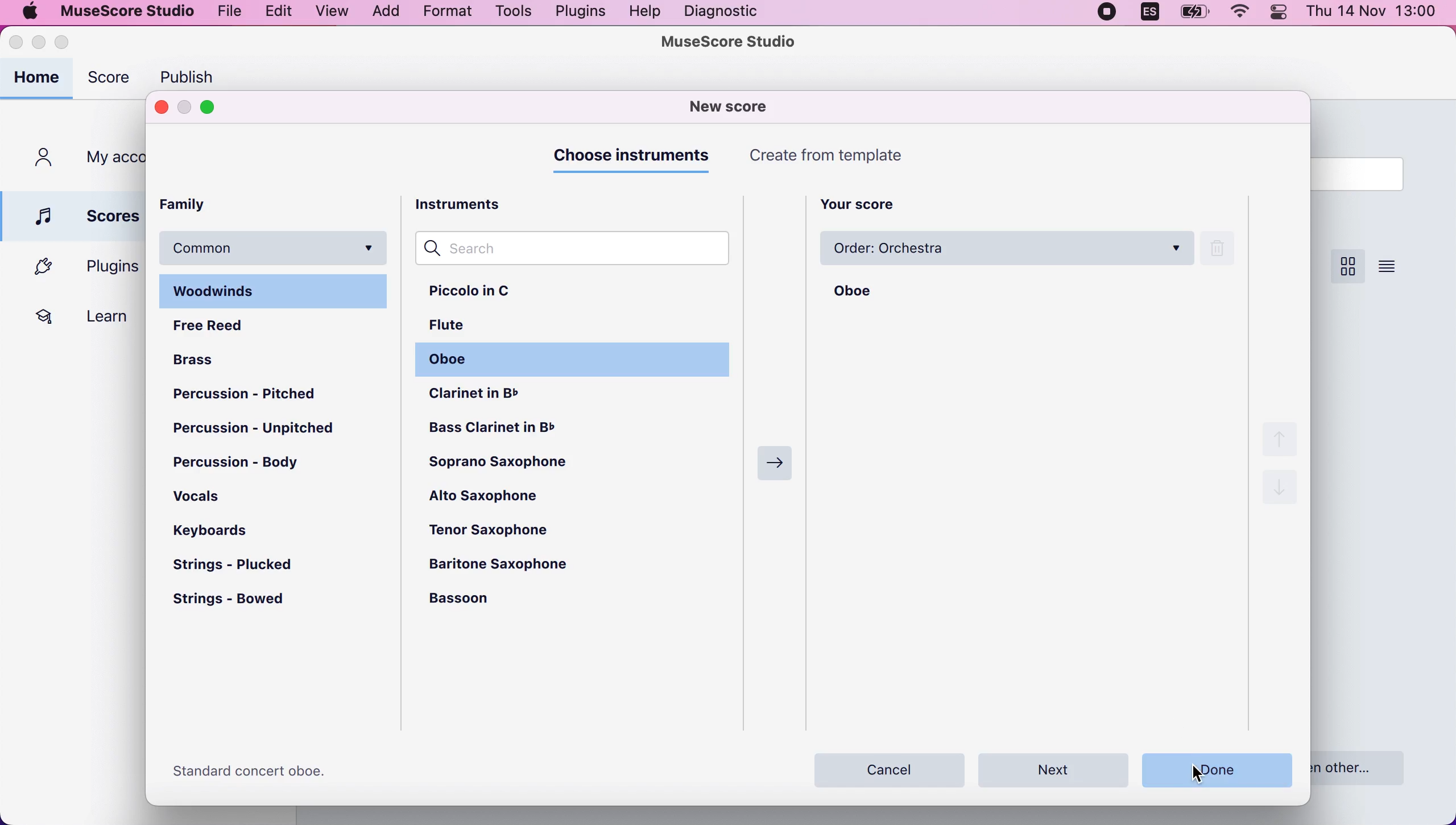 The image size is (1456, 825). I want to click on new score, so click(734, 106).